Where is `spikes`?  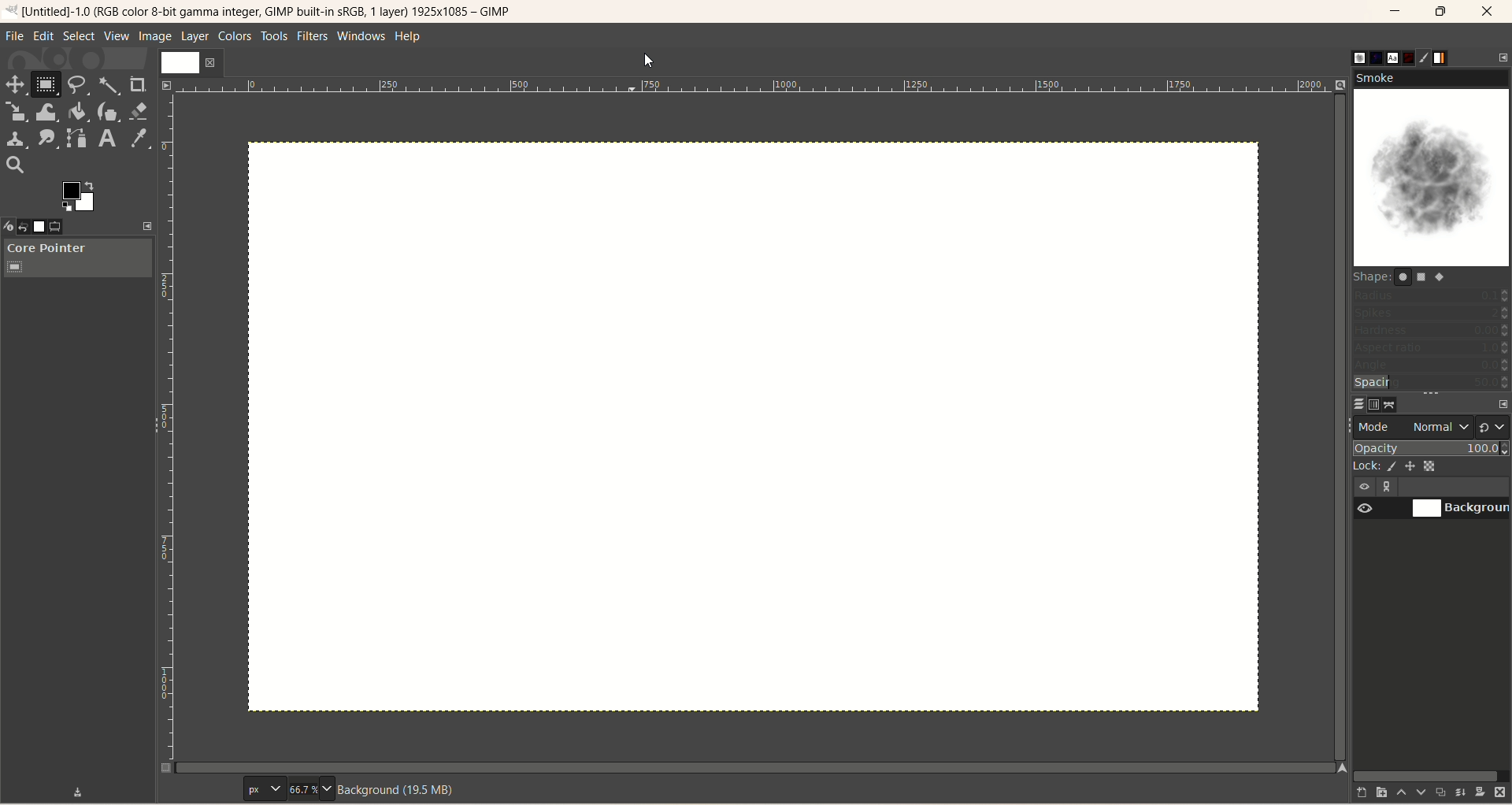 spikes is located at coordinates (1431, 315).